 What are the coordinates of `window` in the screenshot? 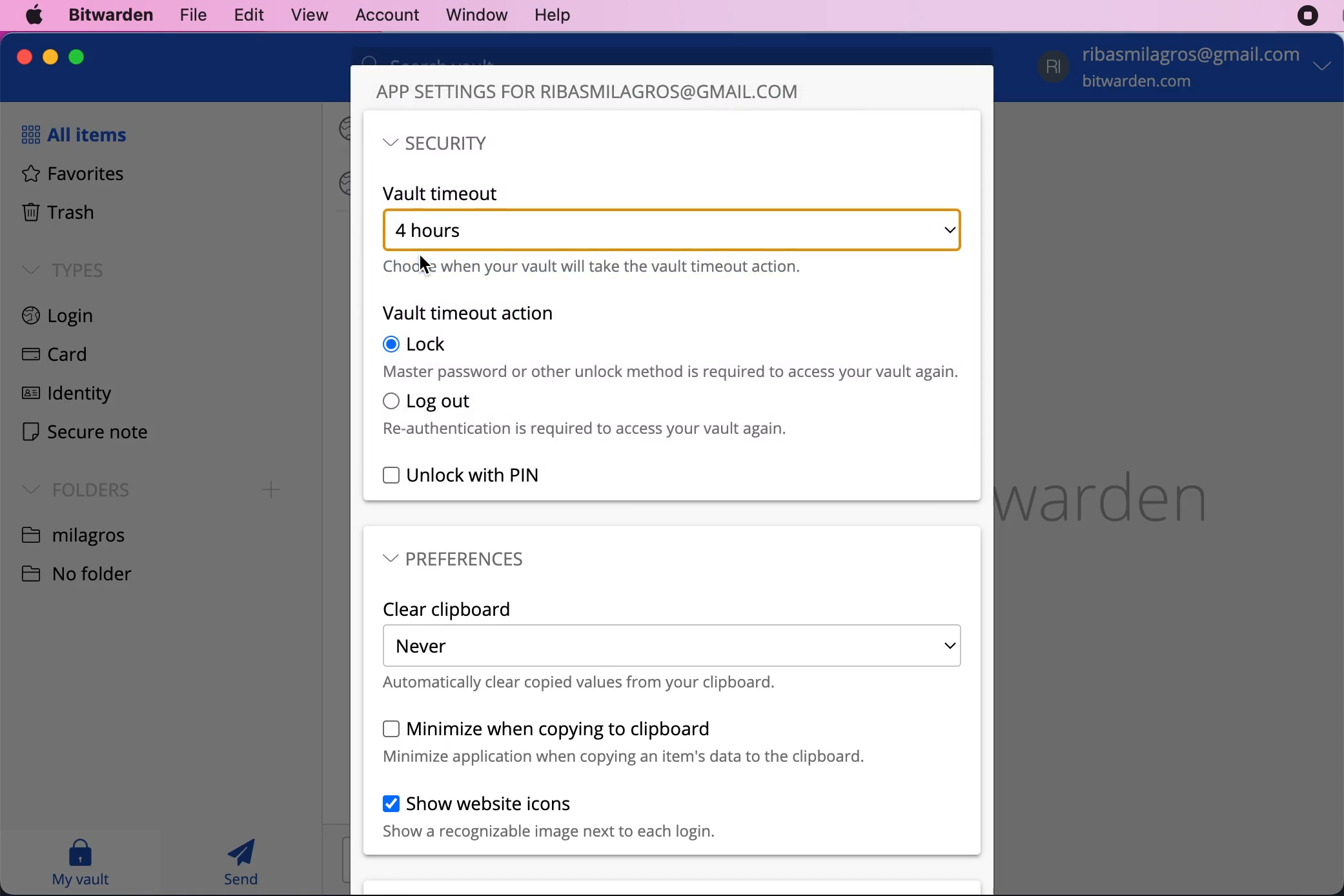 It's located at (469, 15).